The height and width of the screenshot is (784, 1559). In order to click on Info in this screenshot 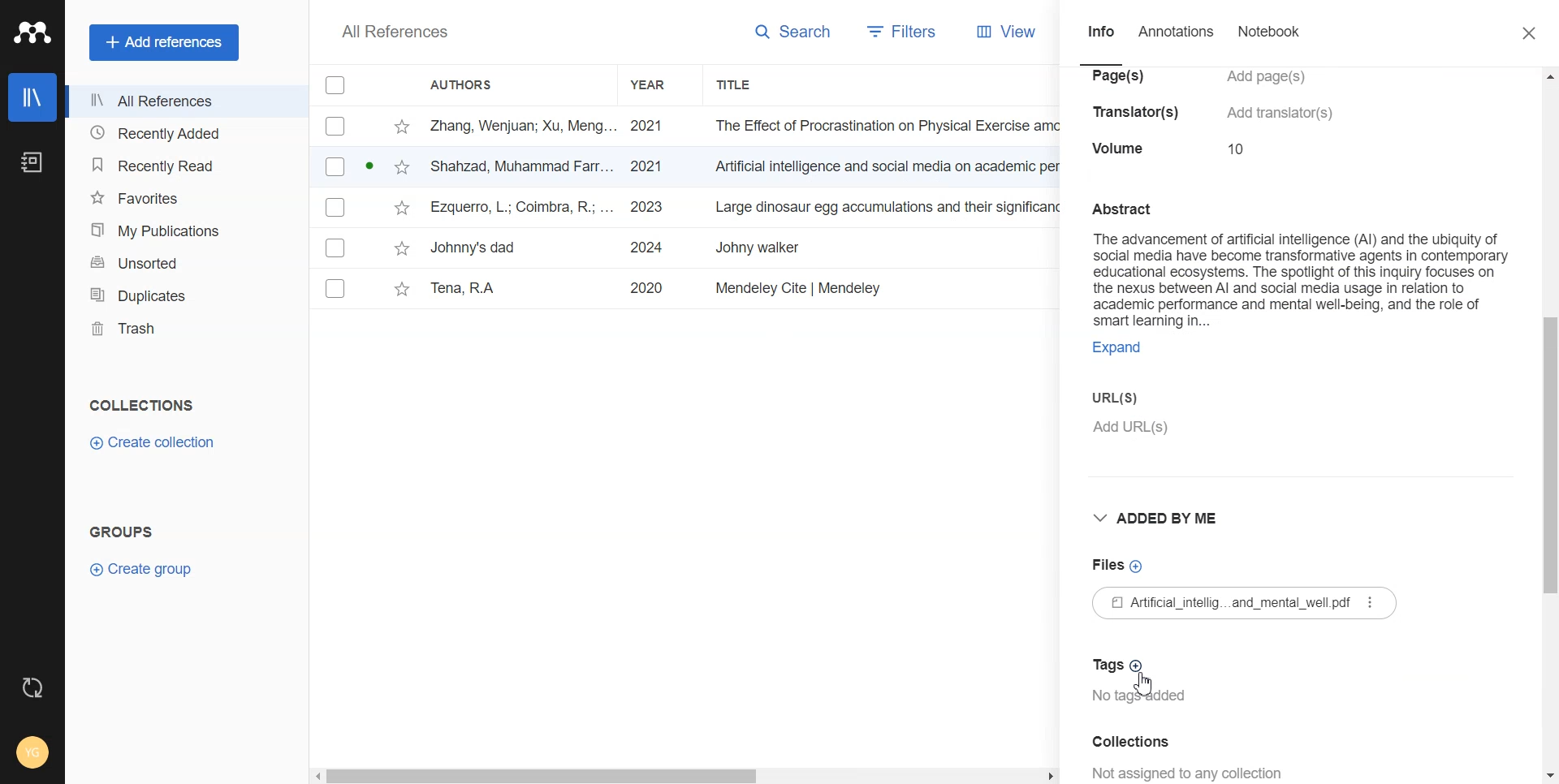, I will do `click(1101, 41)`.